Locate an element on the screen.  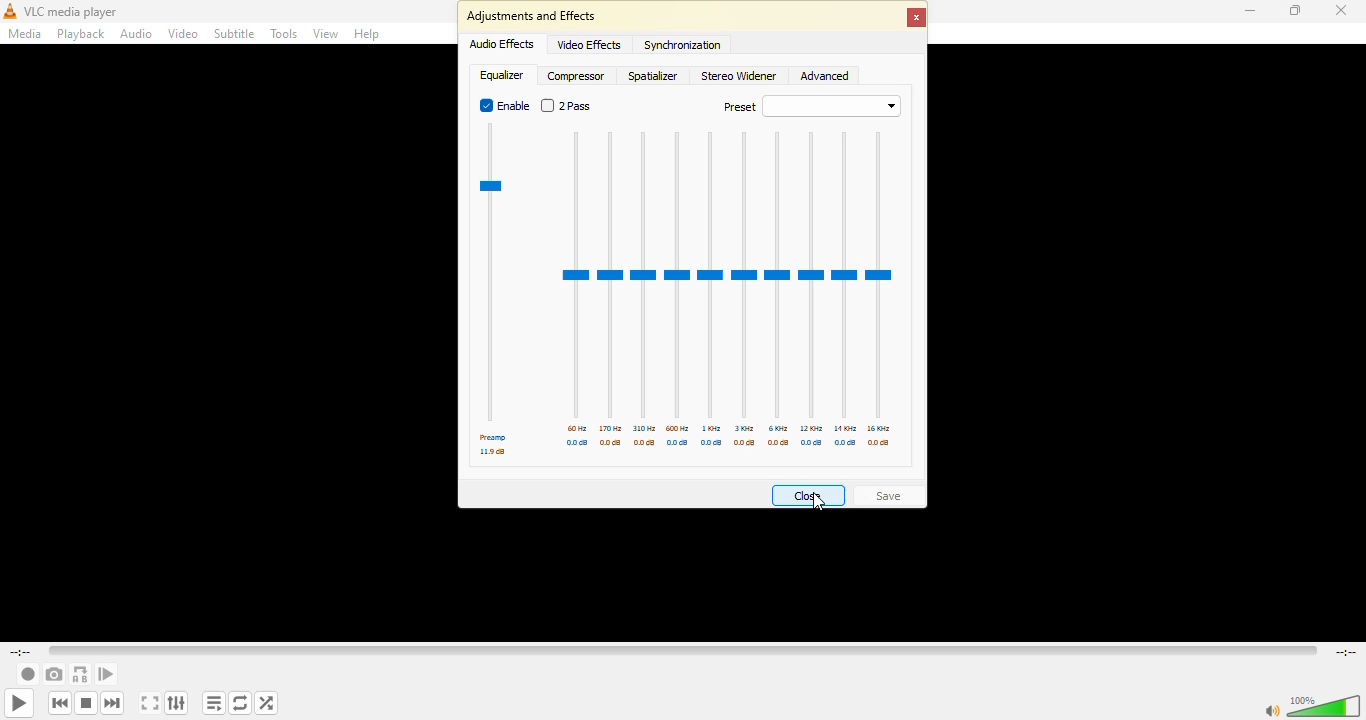
2 pass is located at coordinates (568, 107).